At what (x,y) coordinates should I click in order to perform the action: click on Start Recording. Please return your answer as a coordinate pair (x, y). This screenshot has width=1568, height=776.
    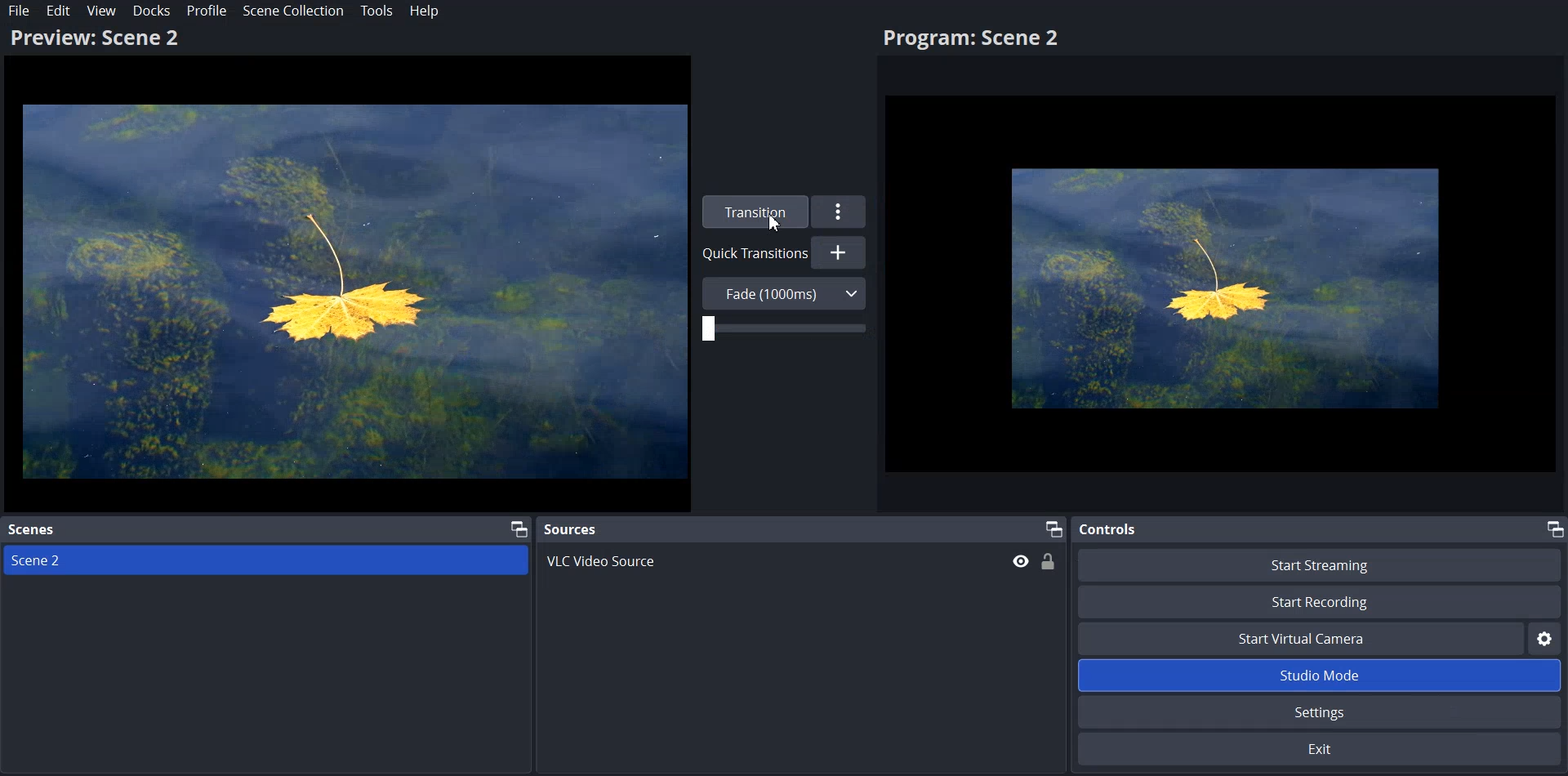
    Looking at the image, I should click on (1320, 600).